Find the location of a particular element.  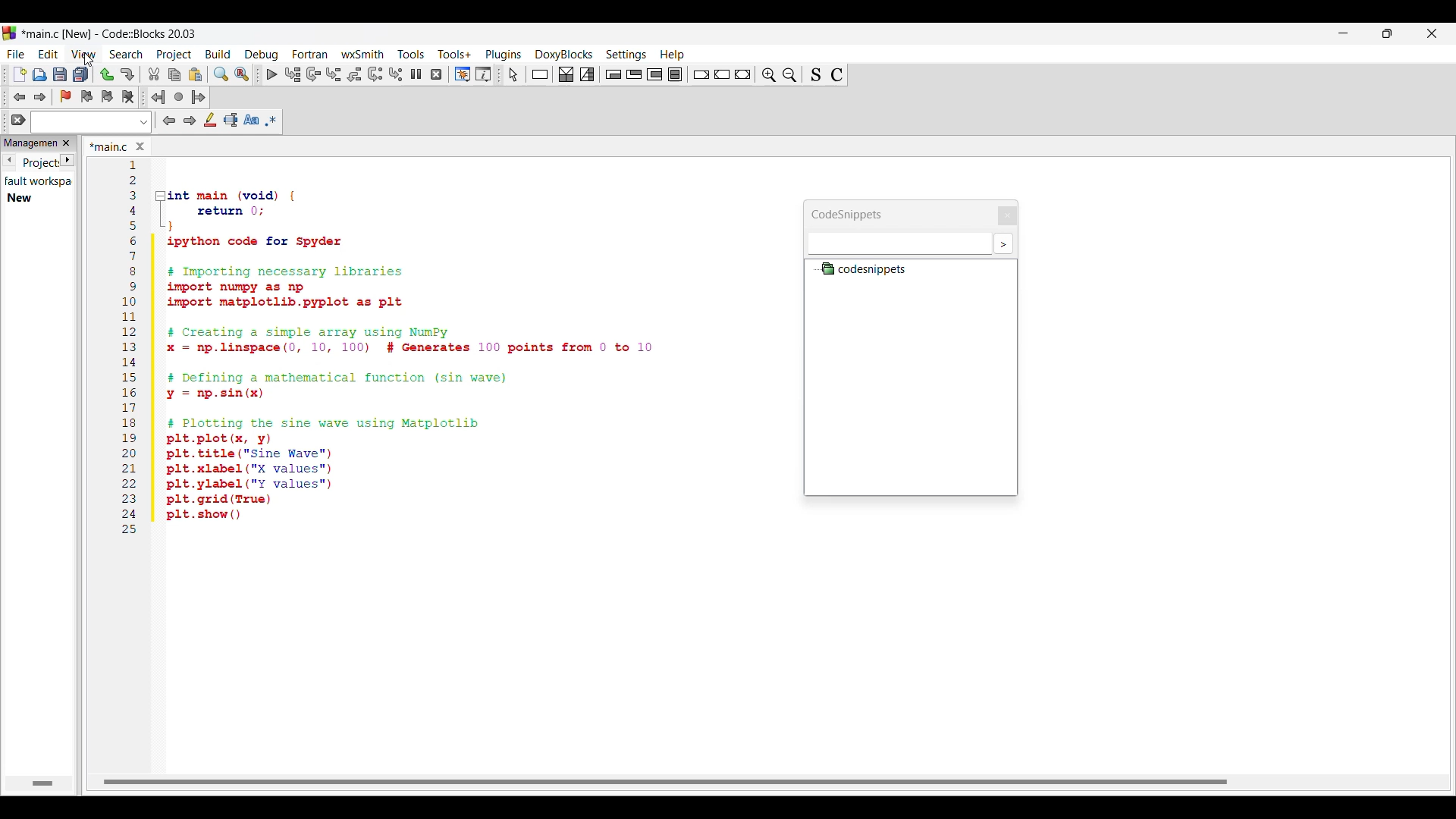

Software logo is located at coordinates (9, 33).